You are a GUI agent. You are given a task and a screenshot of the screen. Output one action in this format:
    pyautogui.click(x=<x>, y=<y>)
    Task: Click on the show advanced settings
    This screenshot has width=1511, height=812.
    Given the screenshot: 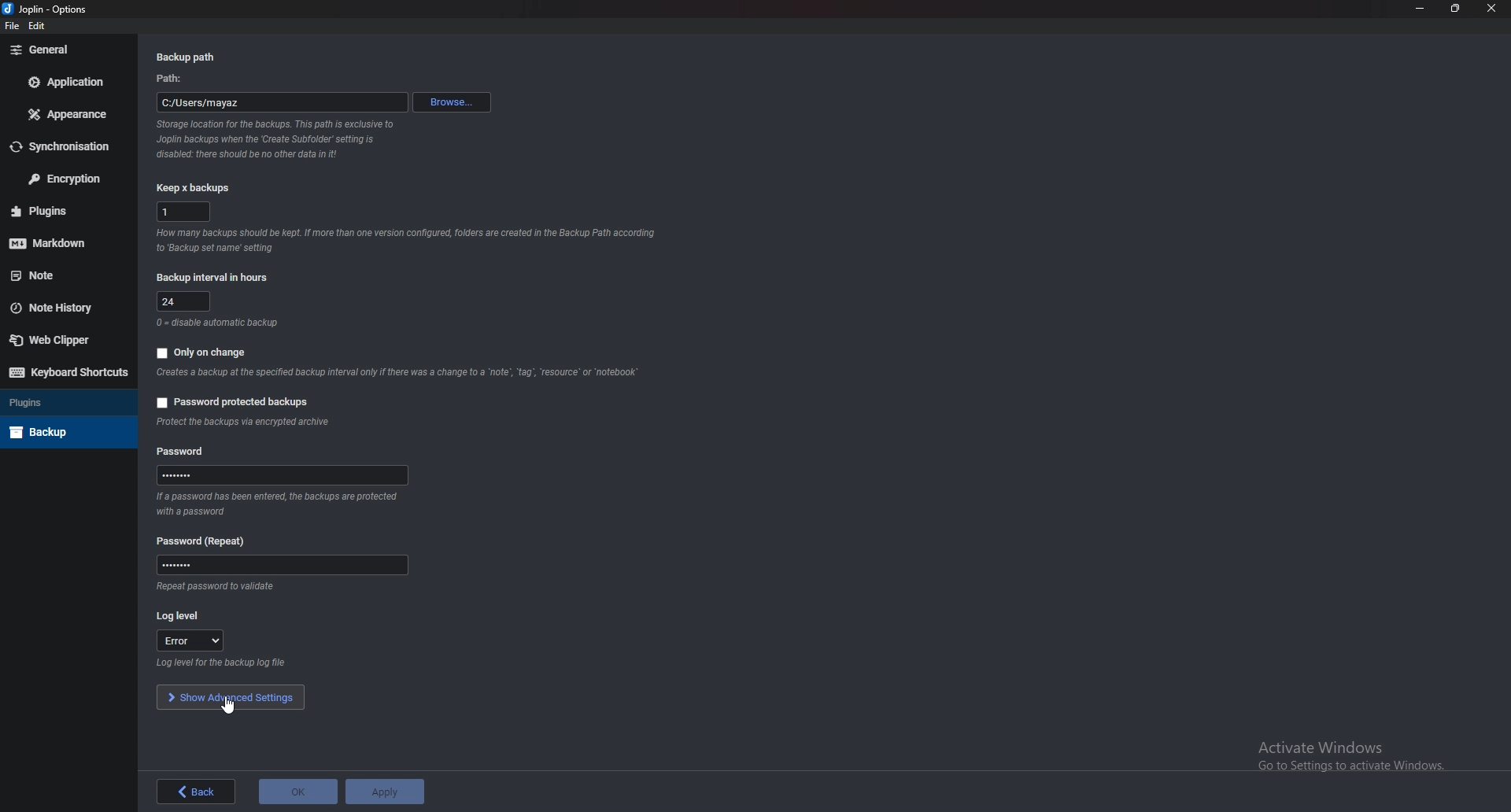 What is the action you would take?
    pyautogui.click(x=231, y=696)
    